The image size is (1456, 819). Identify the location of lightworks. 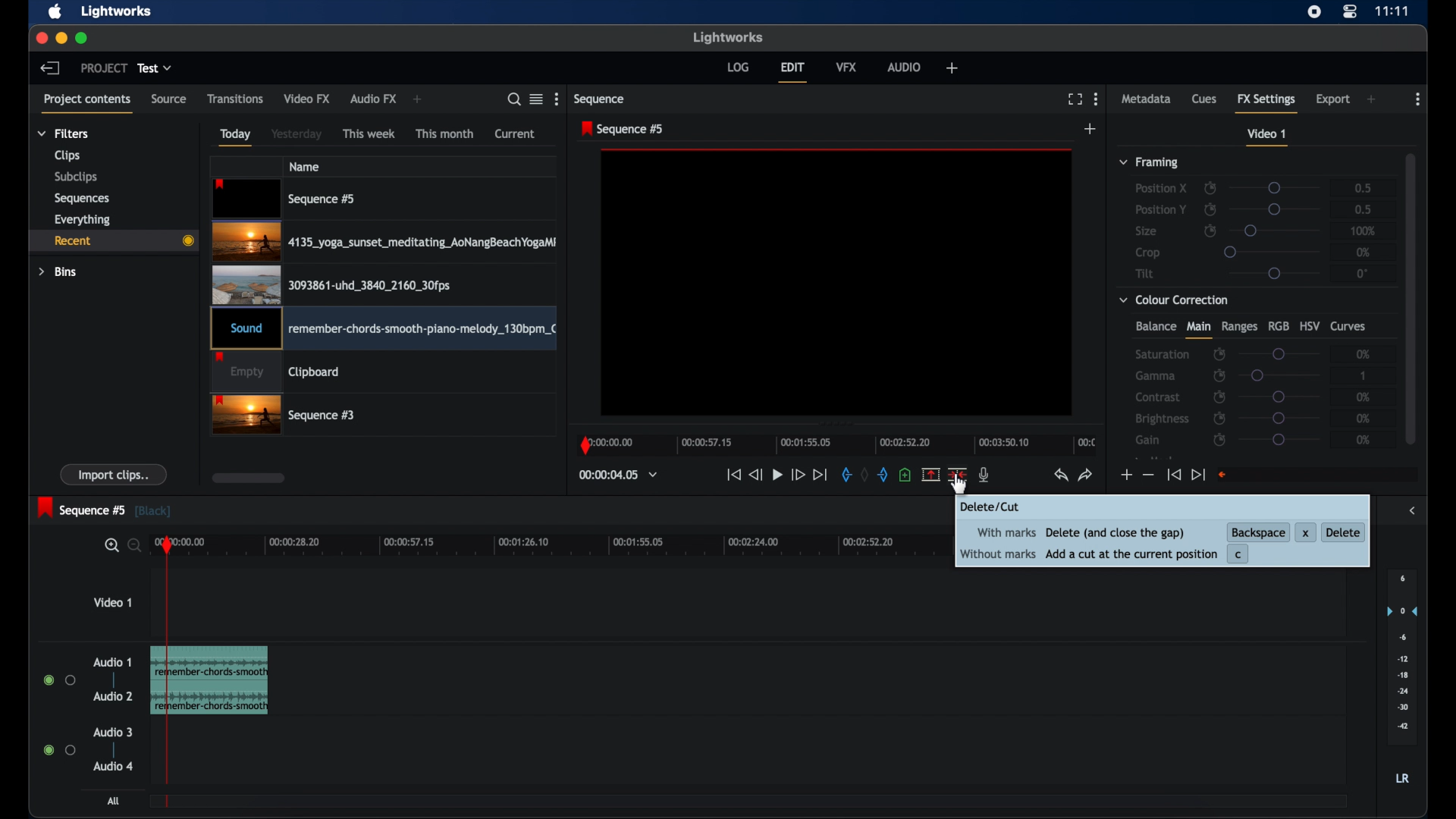
(118, 11).